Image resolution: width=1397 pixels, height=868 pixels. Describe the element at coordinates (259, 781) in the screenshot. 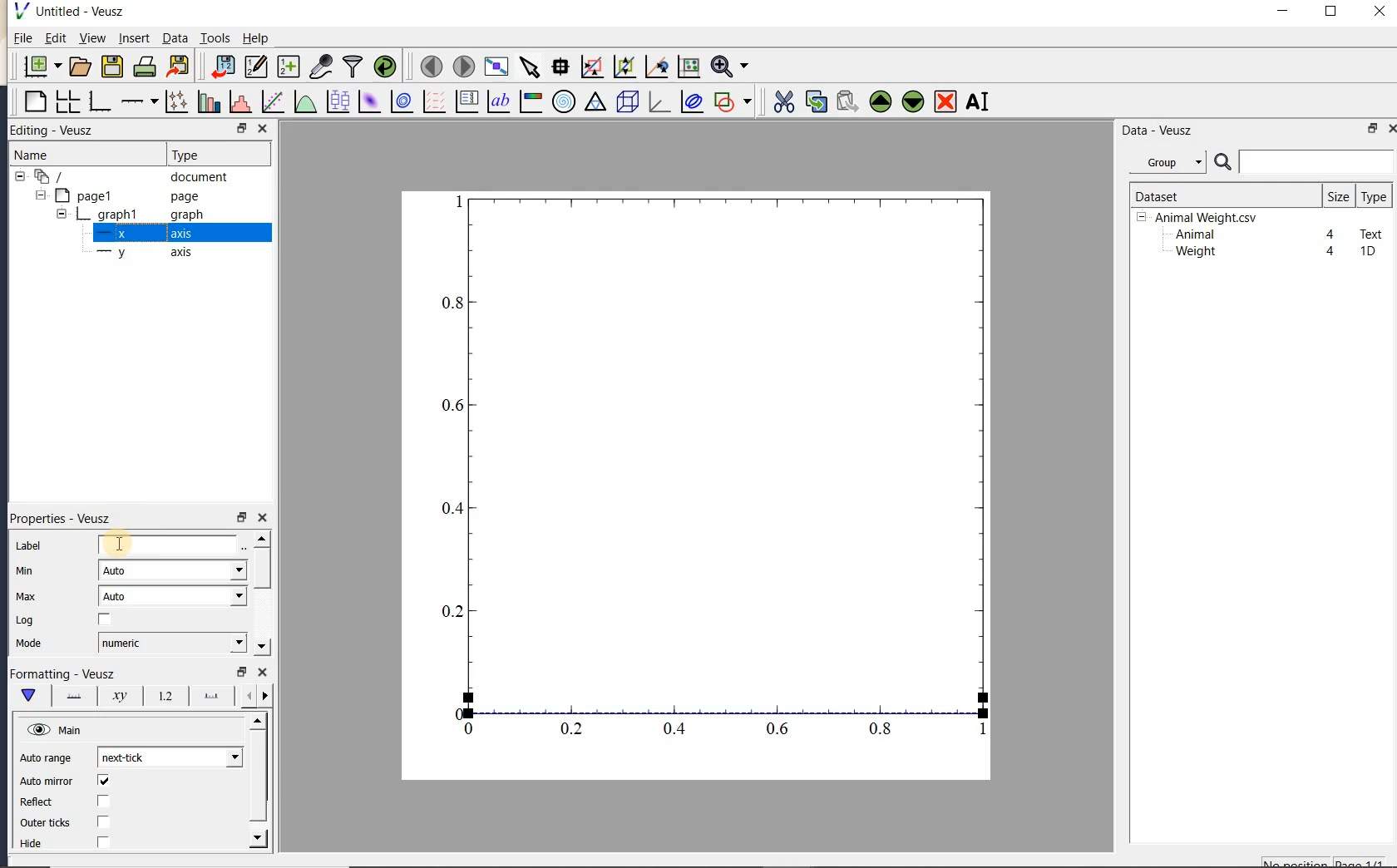

I see `scrollbar` at that location.